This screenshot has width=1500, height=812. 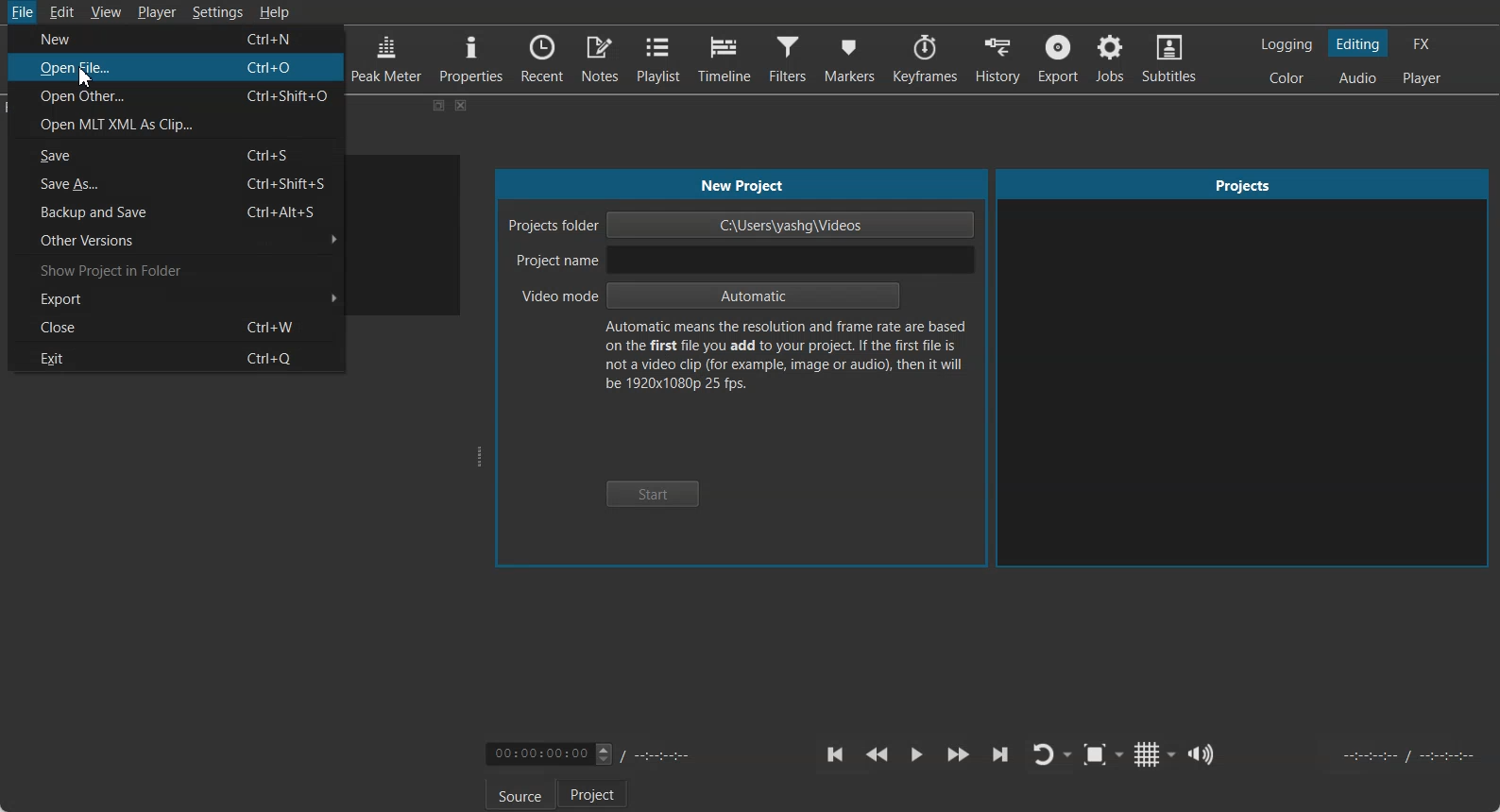 I want to click on Switching to the Color layout, so click(x=1287, y=78).